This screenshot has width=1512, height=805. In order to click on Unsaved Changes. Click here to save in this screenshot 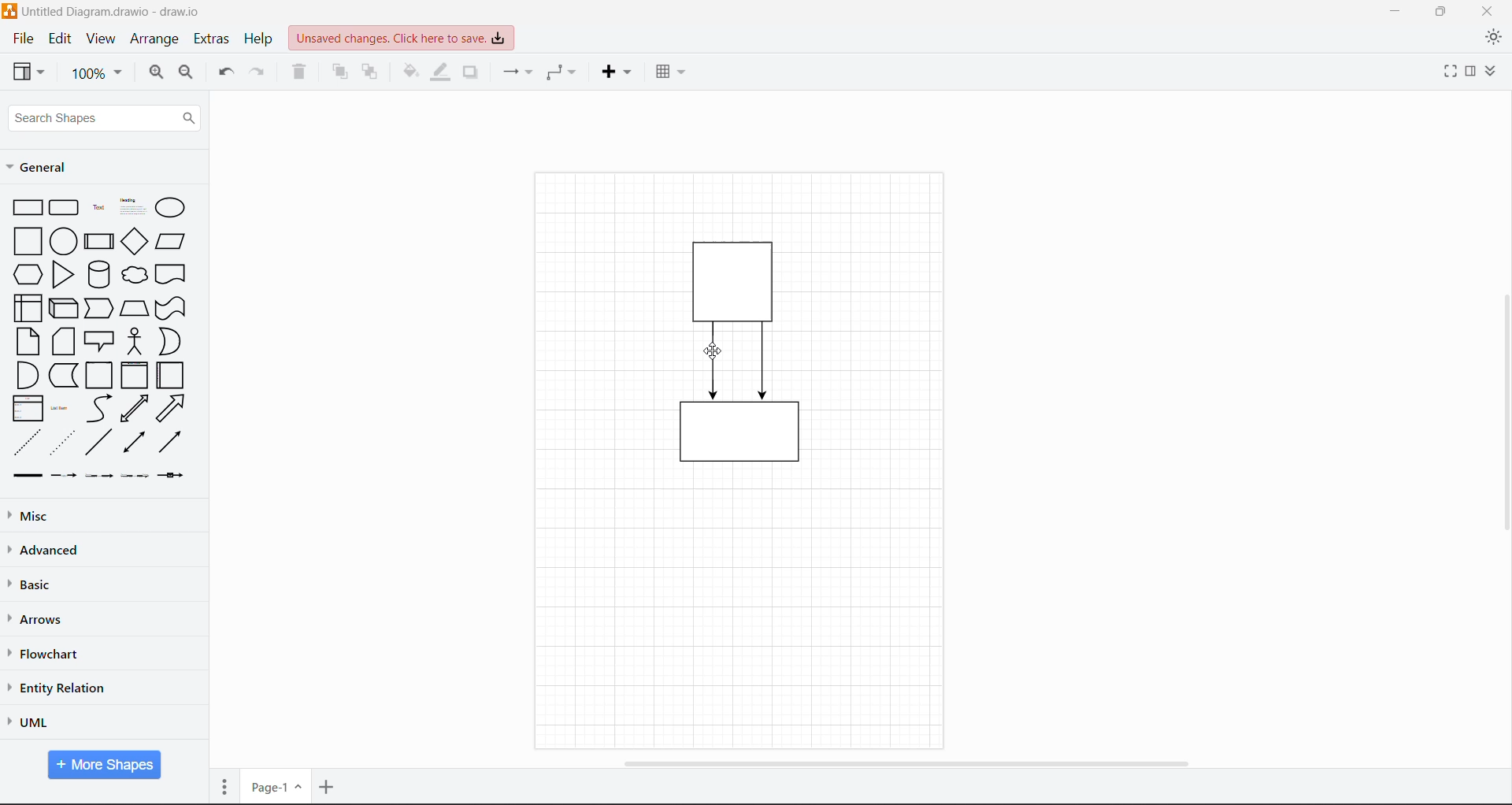, I will do `click(402, 38)`.